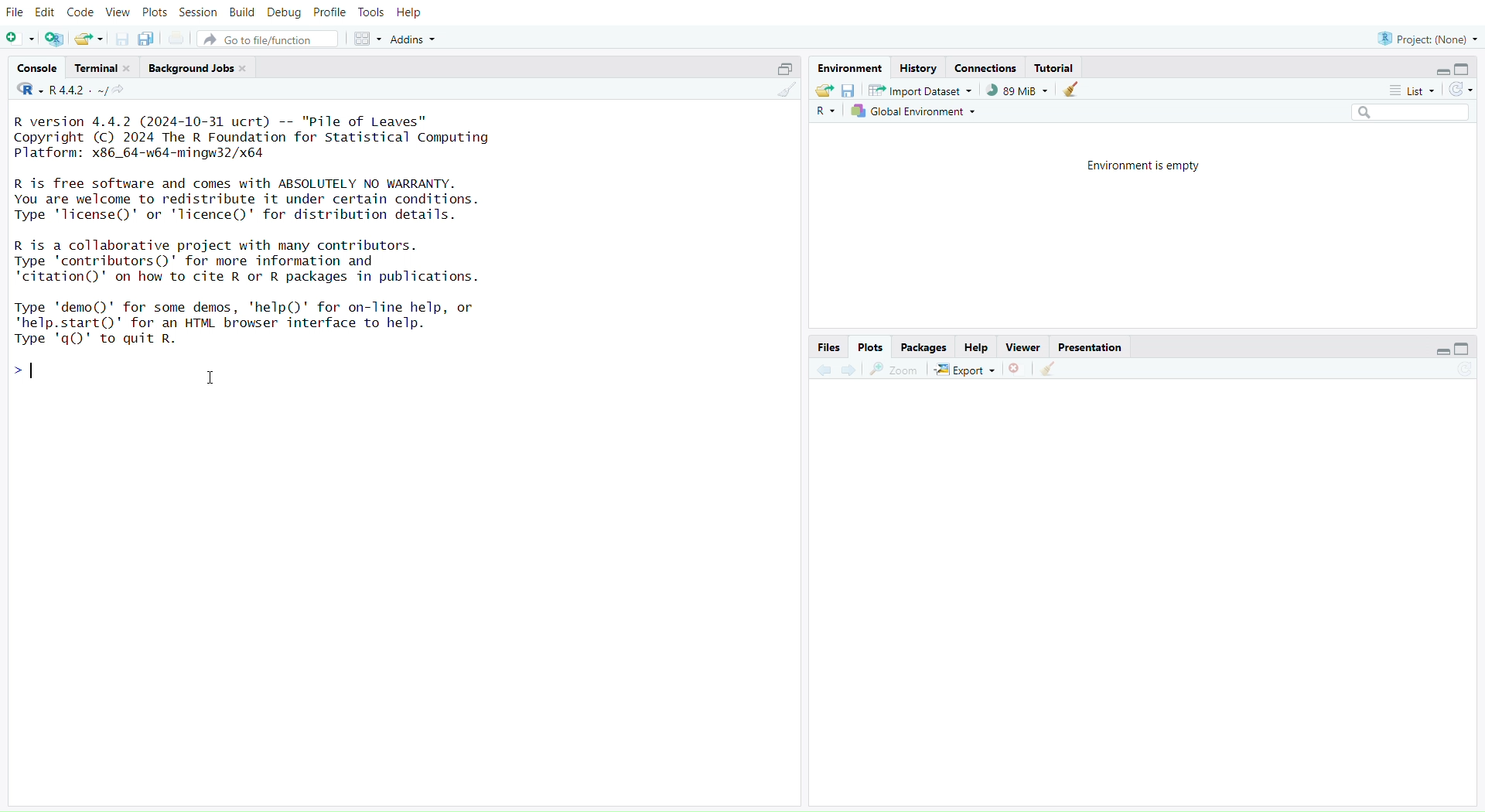 This screenshot has width=1485, height=812. Describe the element at coordinates (44, 13) in the screenshot. I see `Edit` at that location.